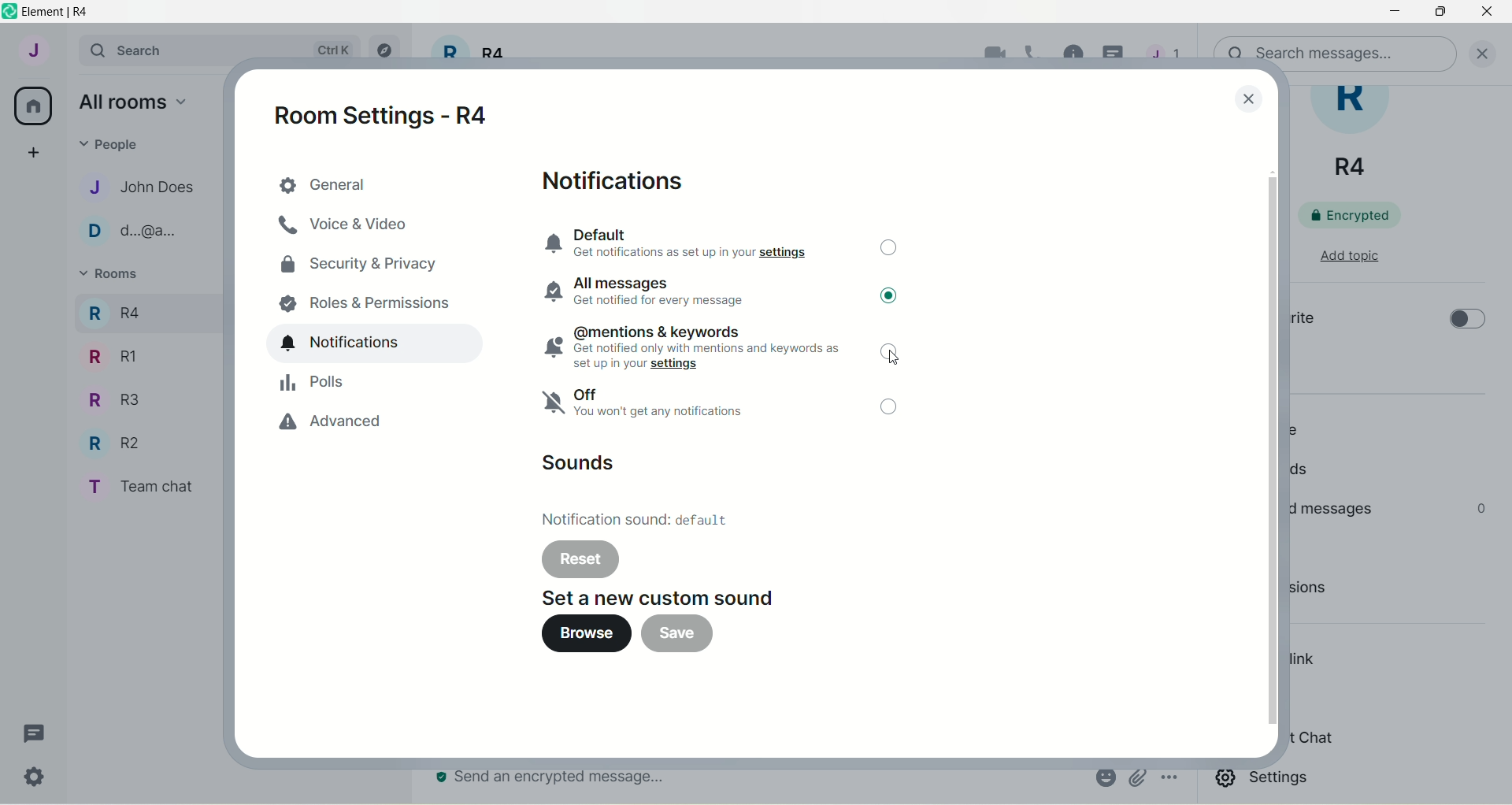 The image size is (1512, 805). I want to click on emoji, so click(1104, 777).